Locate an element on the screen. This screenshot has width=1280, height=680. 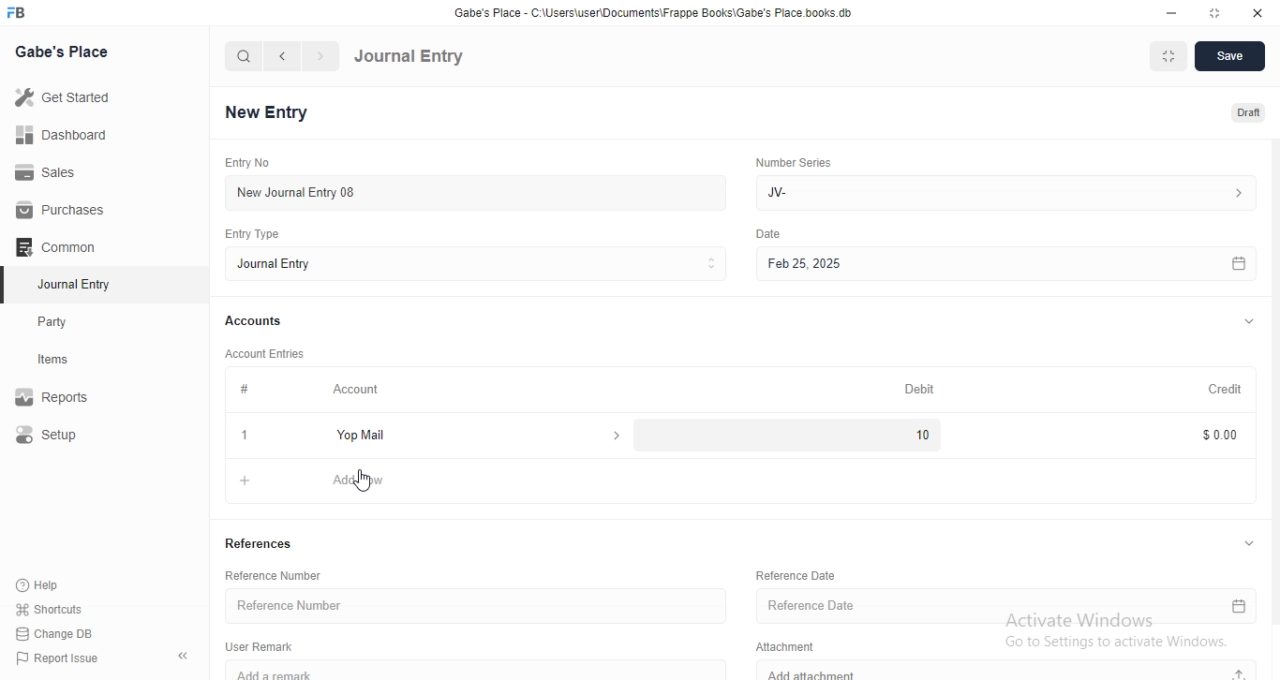
Items is located at coordinates (72, 361).